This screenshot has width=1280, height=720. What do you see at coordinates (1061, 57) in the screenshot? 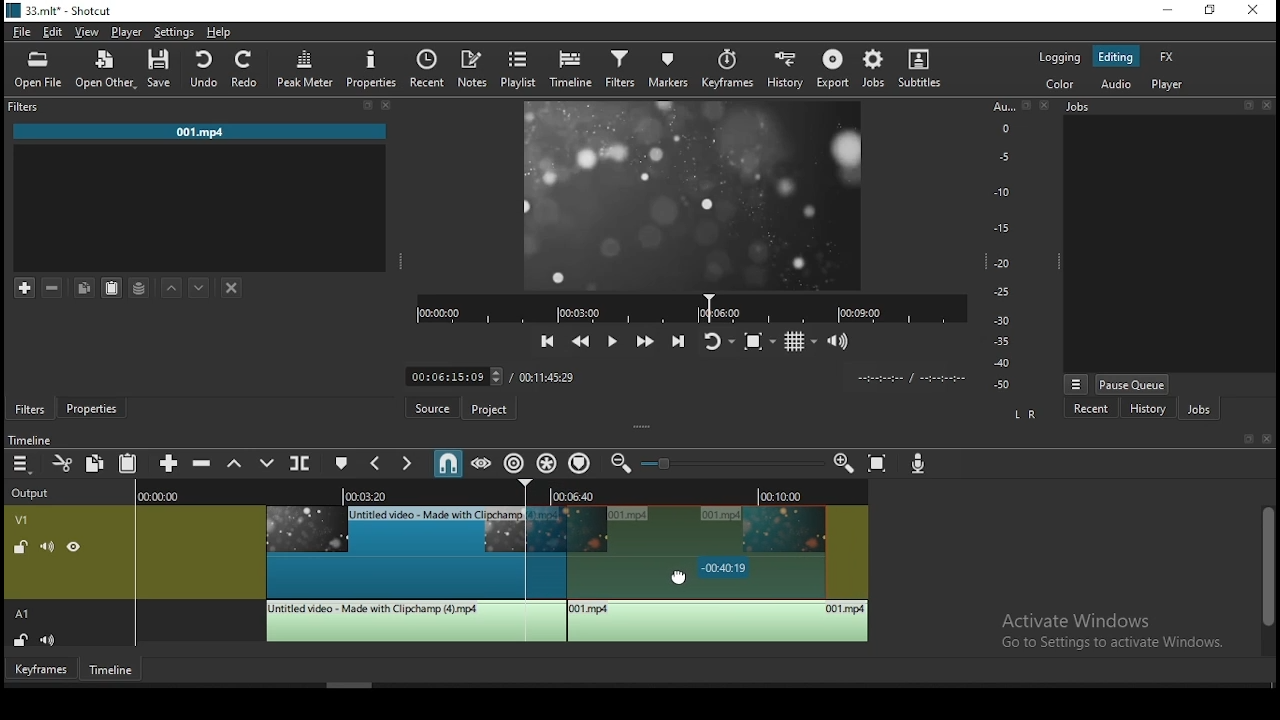
I see `logging` at bounding box center [1061, 57].